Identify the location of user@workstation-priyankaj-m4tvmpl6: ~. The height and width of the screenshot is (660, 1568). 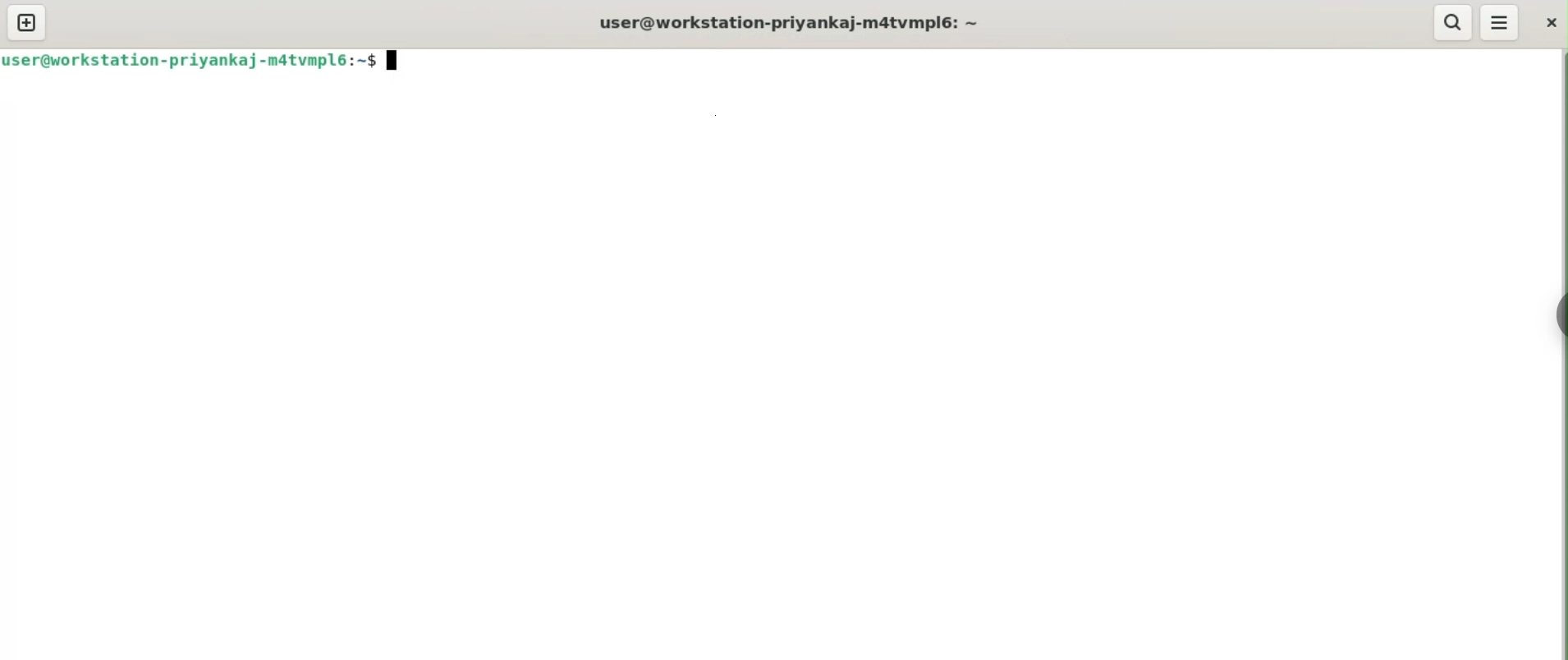
(790, 21).